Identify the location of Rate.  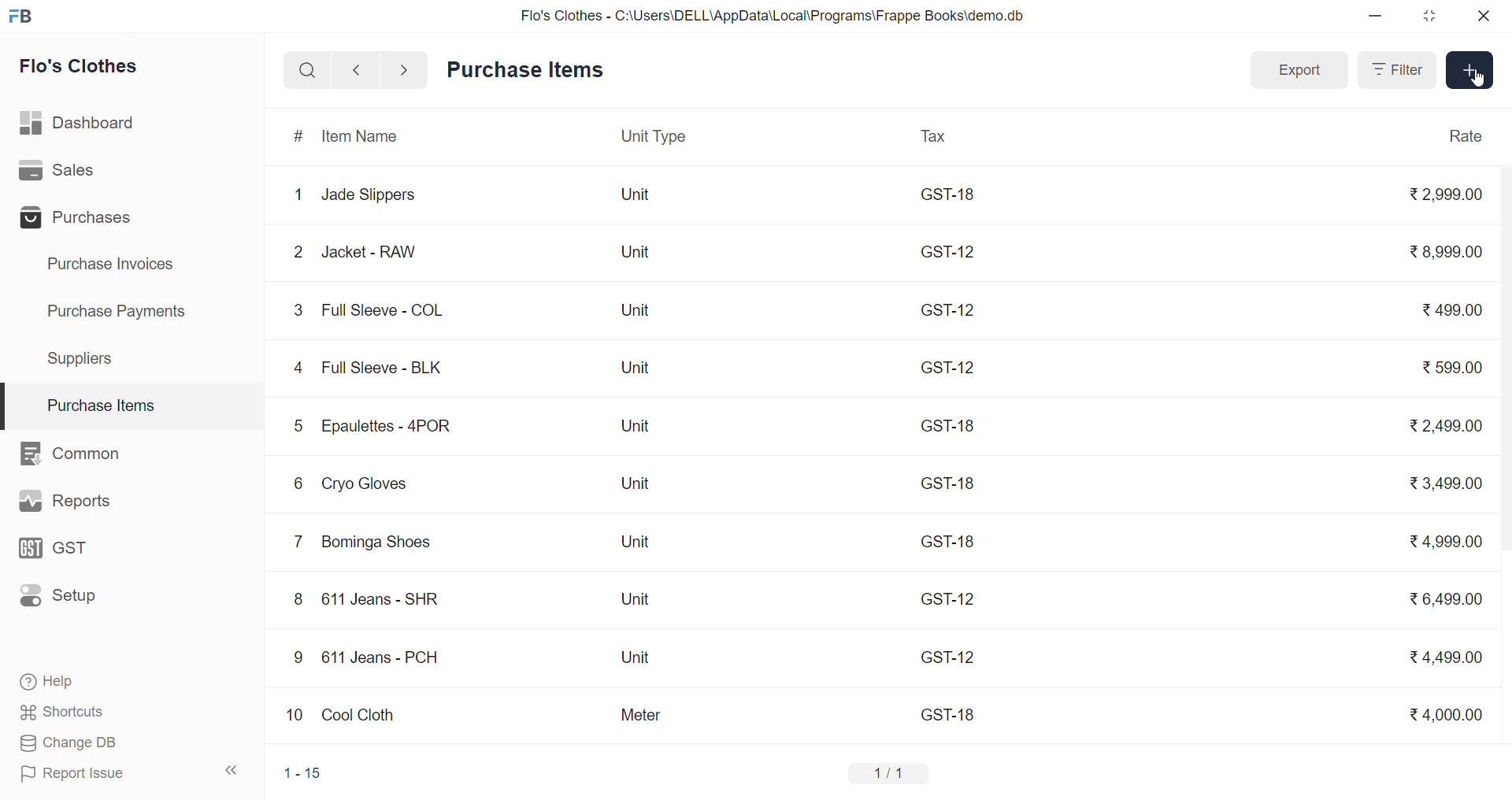
(1466, 138).